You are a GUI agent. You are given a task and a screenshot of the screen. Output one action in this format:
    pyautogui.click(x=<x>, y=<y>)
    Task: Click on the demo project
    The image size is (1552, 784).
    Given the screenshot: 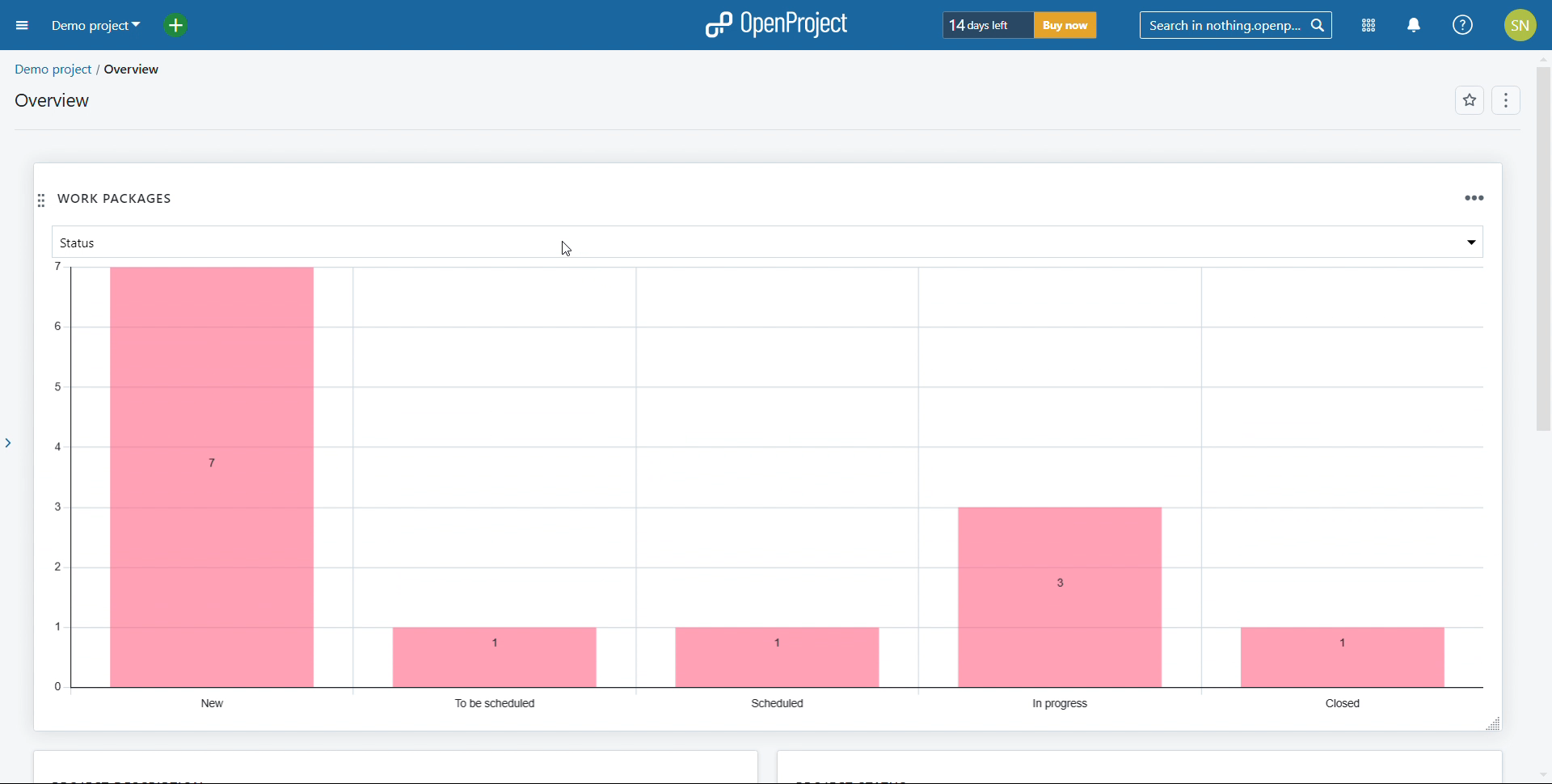 What is the action you would take?
    pyautogui.click(x=52, y=69)
    